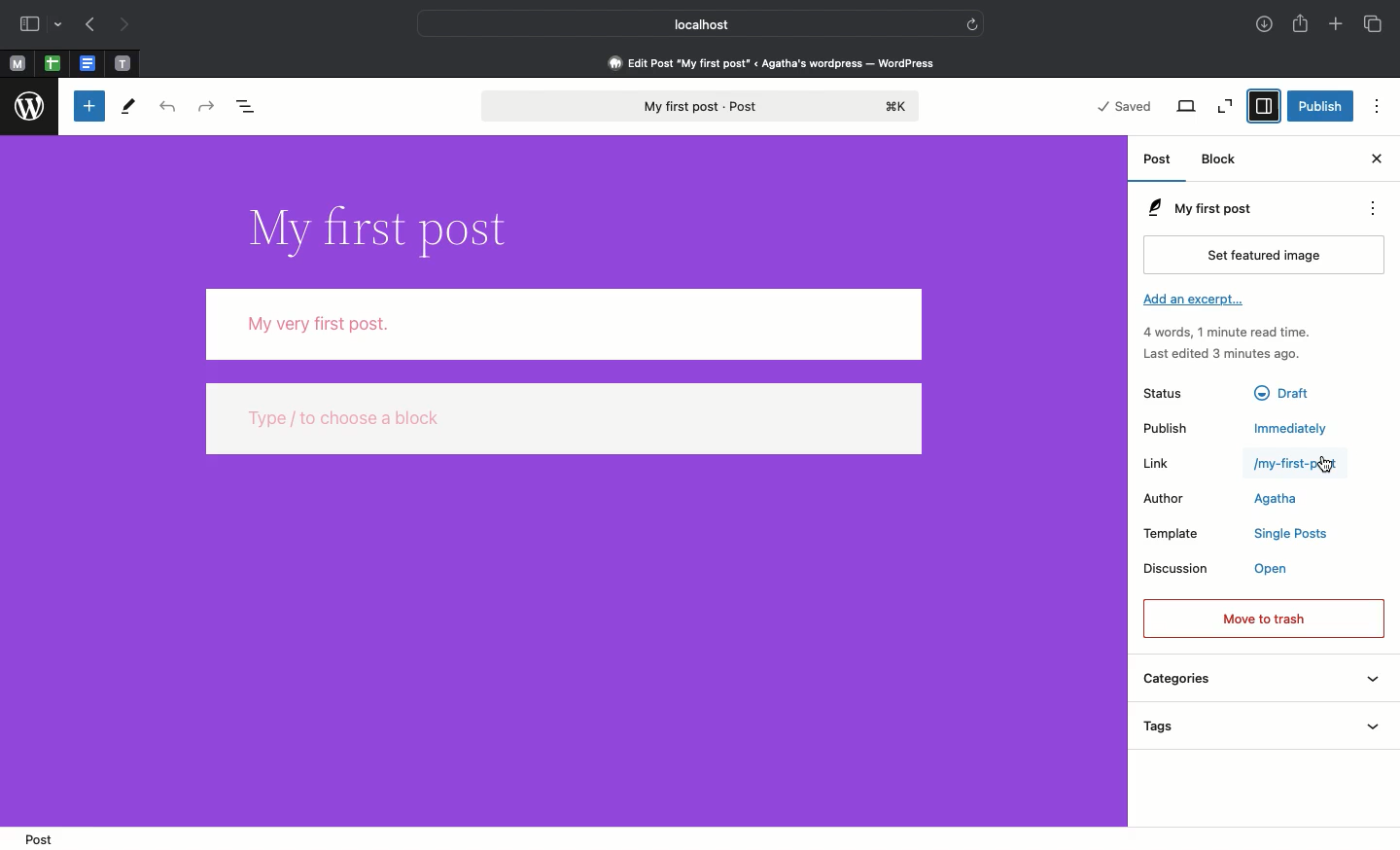 The height and width of the screenshot is (850, 1400). I want to click on Add an excerpt, so click(1191, 300).